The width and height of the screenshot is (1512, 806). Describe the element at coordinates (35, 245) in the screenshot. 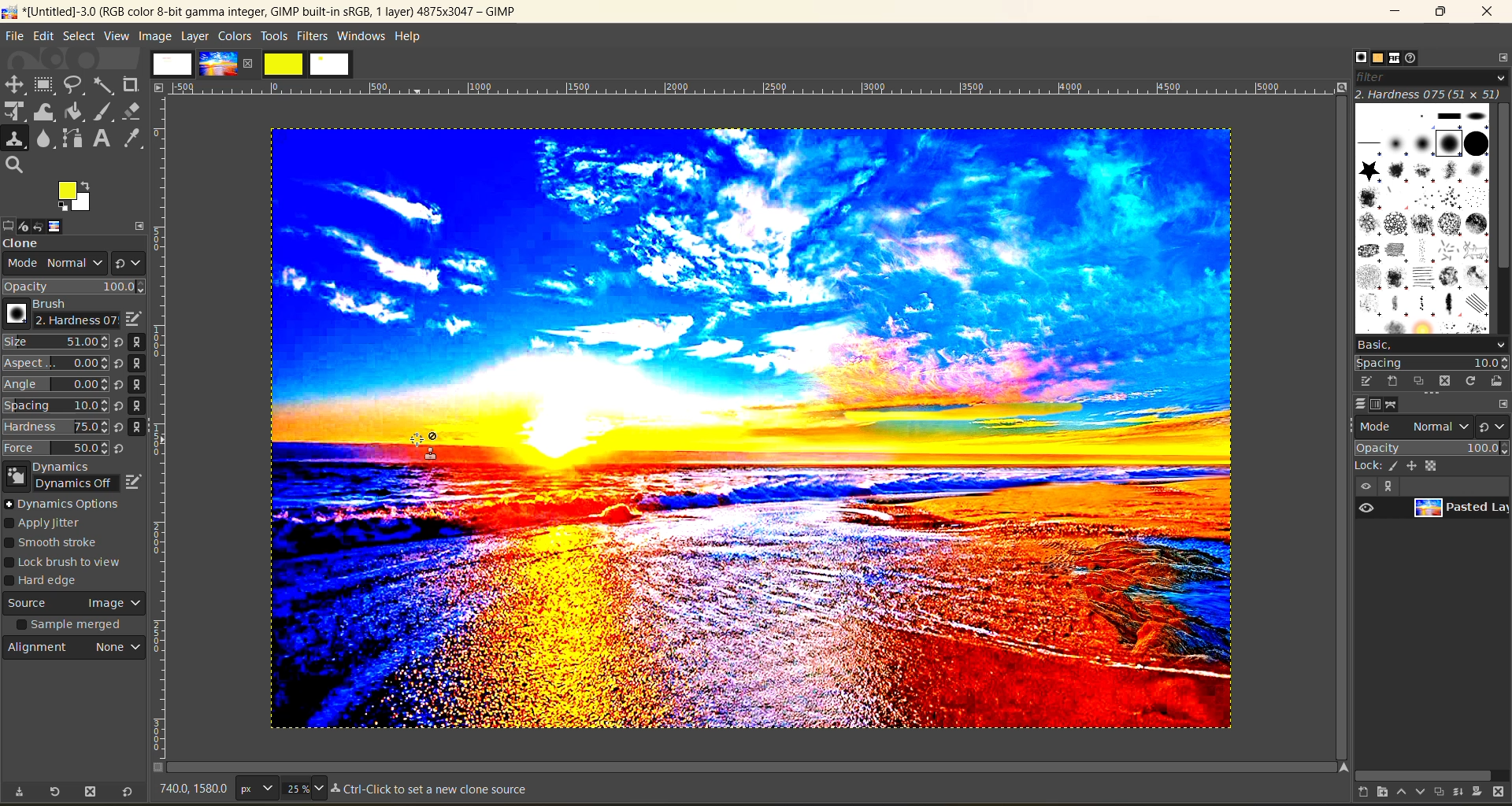

I see `clone` at that location.